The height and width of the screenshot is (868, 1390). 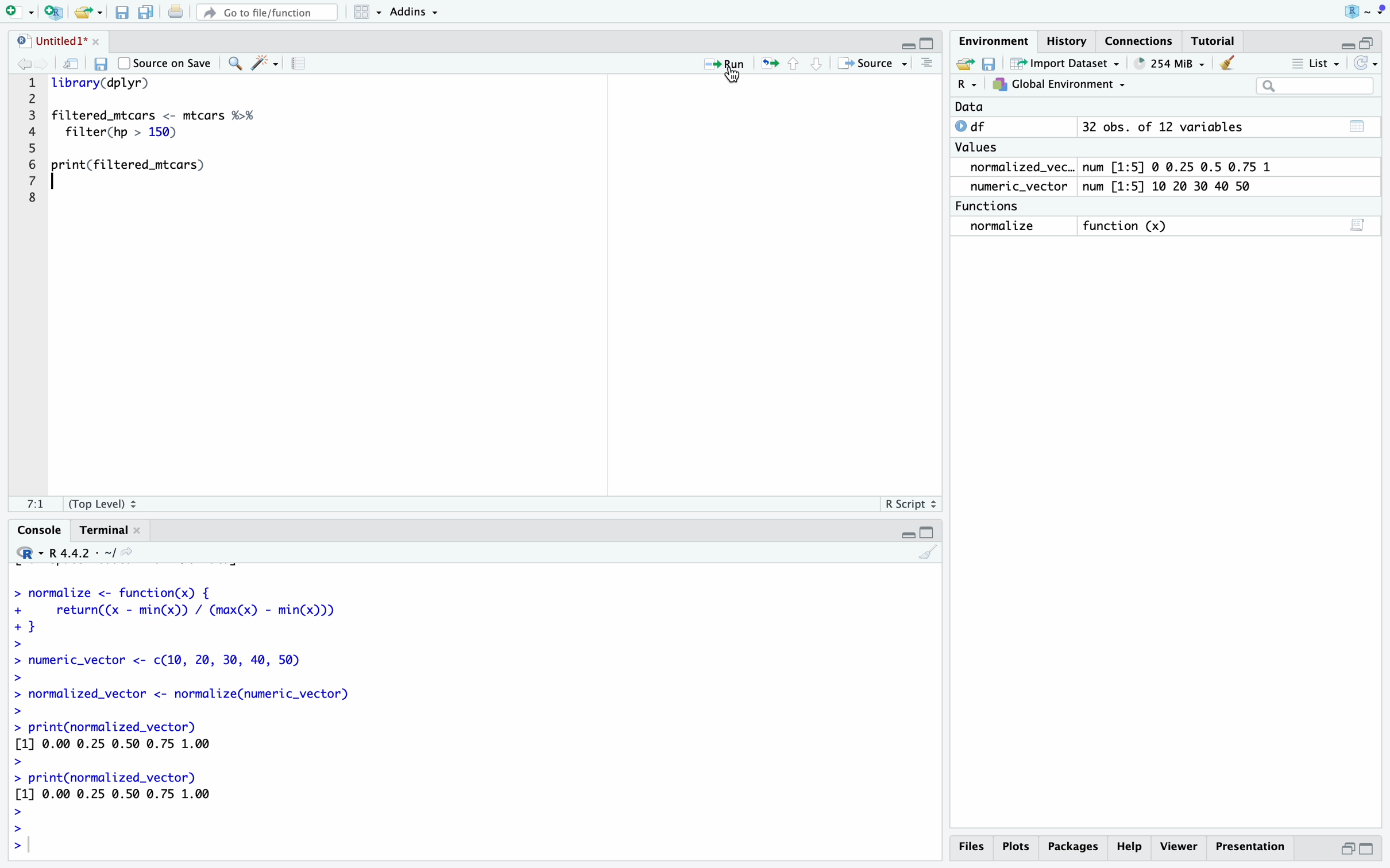 What do you see at coordinates (1072, 846) in the screenshot?
I see `Help` at bounding box center [1072, 846].